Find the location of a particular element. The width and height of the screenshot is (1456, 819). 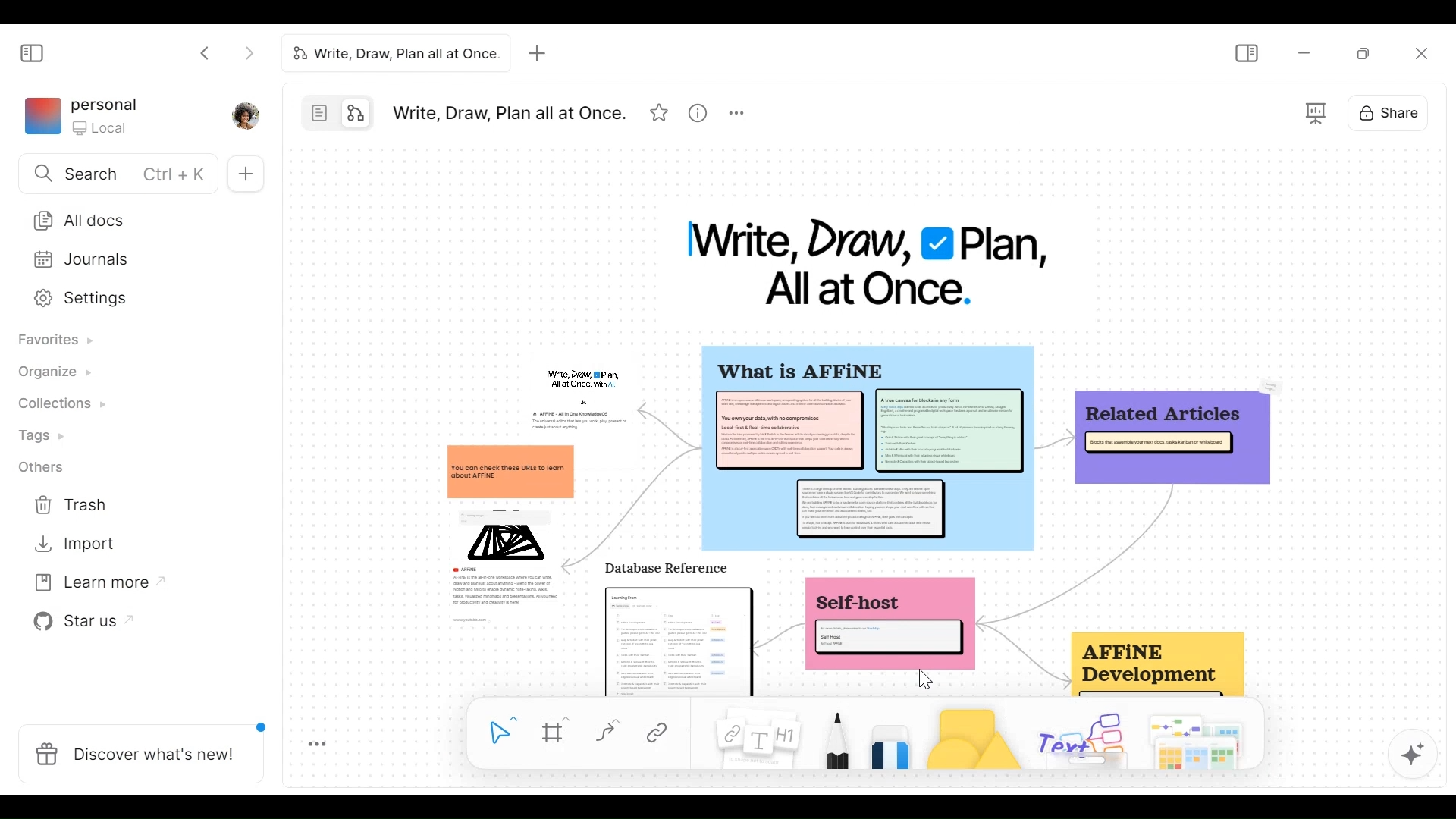

Show/Hide Sidebar is located at coordinates (1244, 51).